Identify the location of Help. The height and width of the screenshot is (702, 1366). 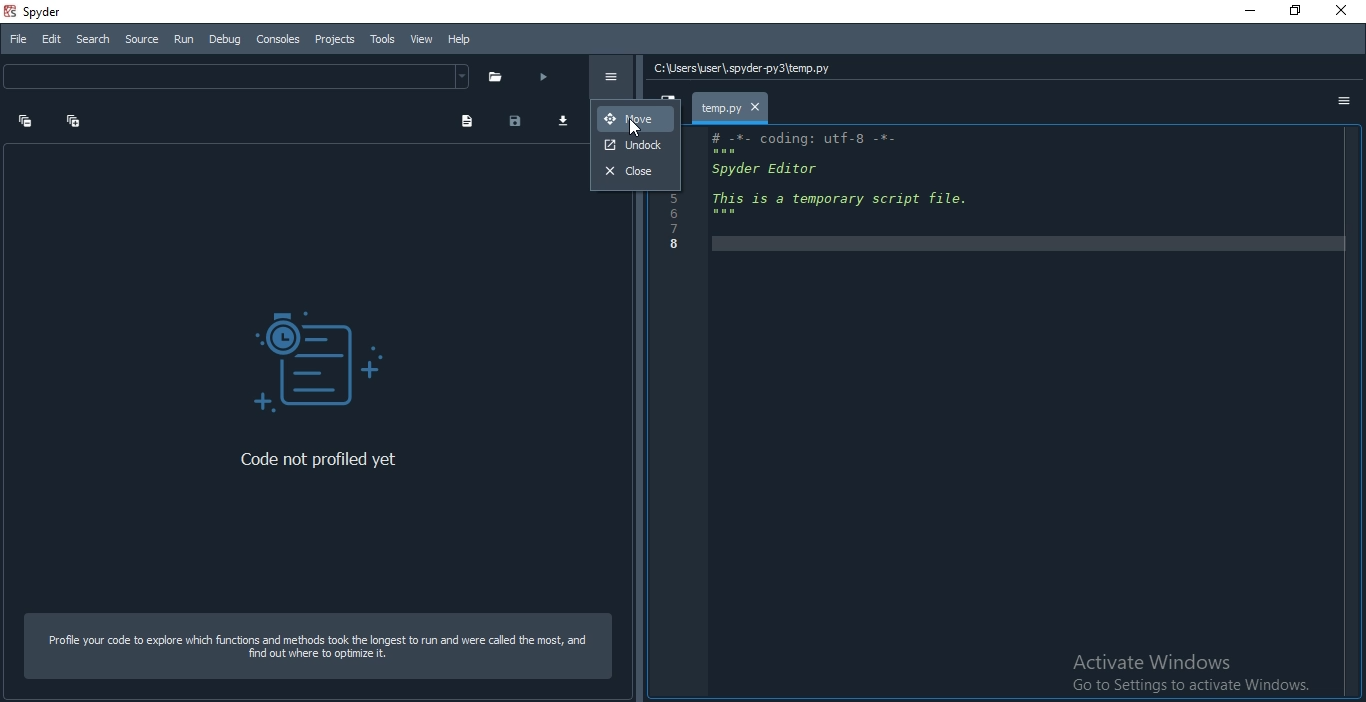
(456, 40).